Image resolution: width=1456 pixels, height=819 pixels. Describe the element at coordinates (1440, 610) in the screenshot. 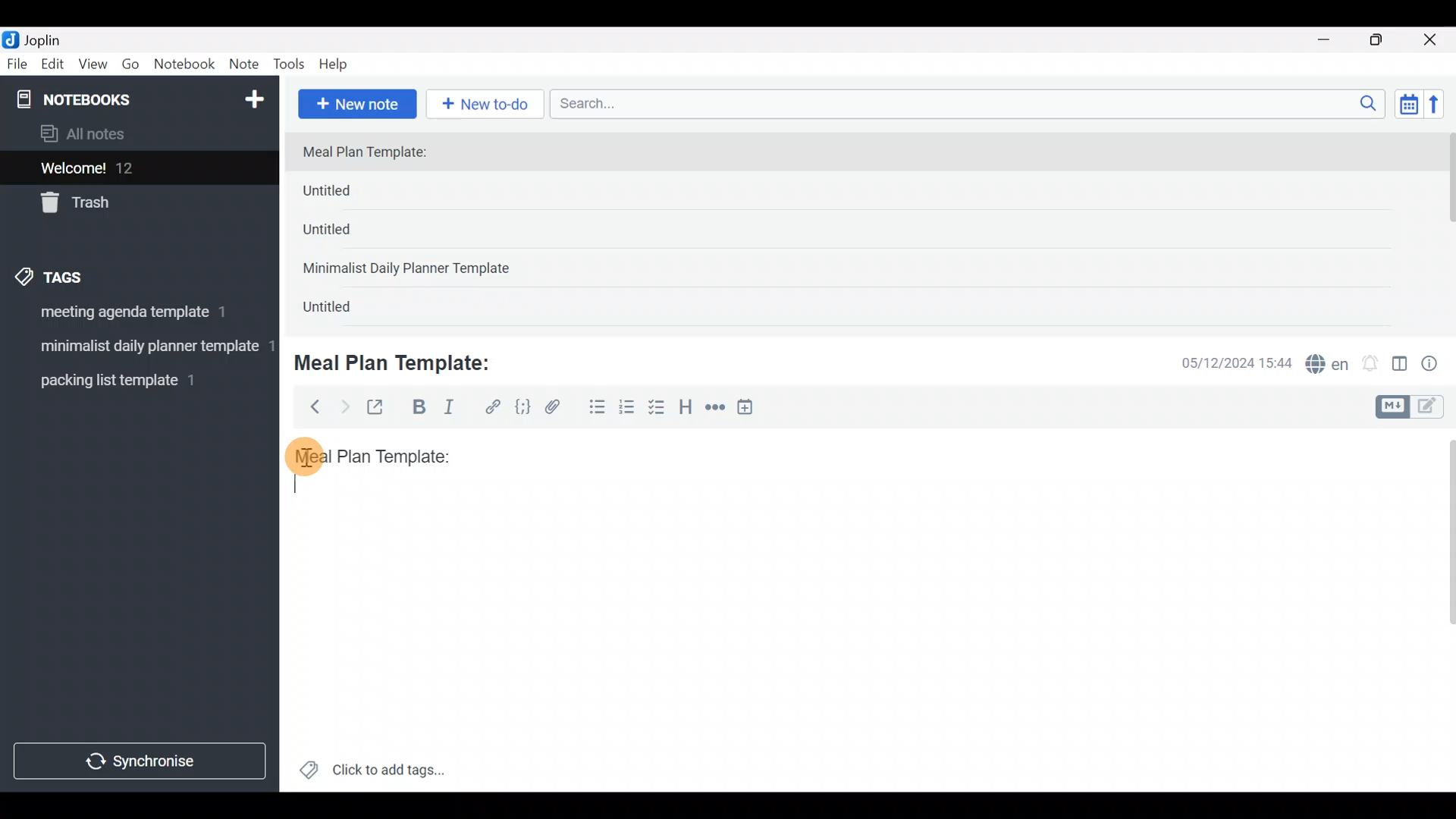

I see `Scroll bar` at that location.